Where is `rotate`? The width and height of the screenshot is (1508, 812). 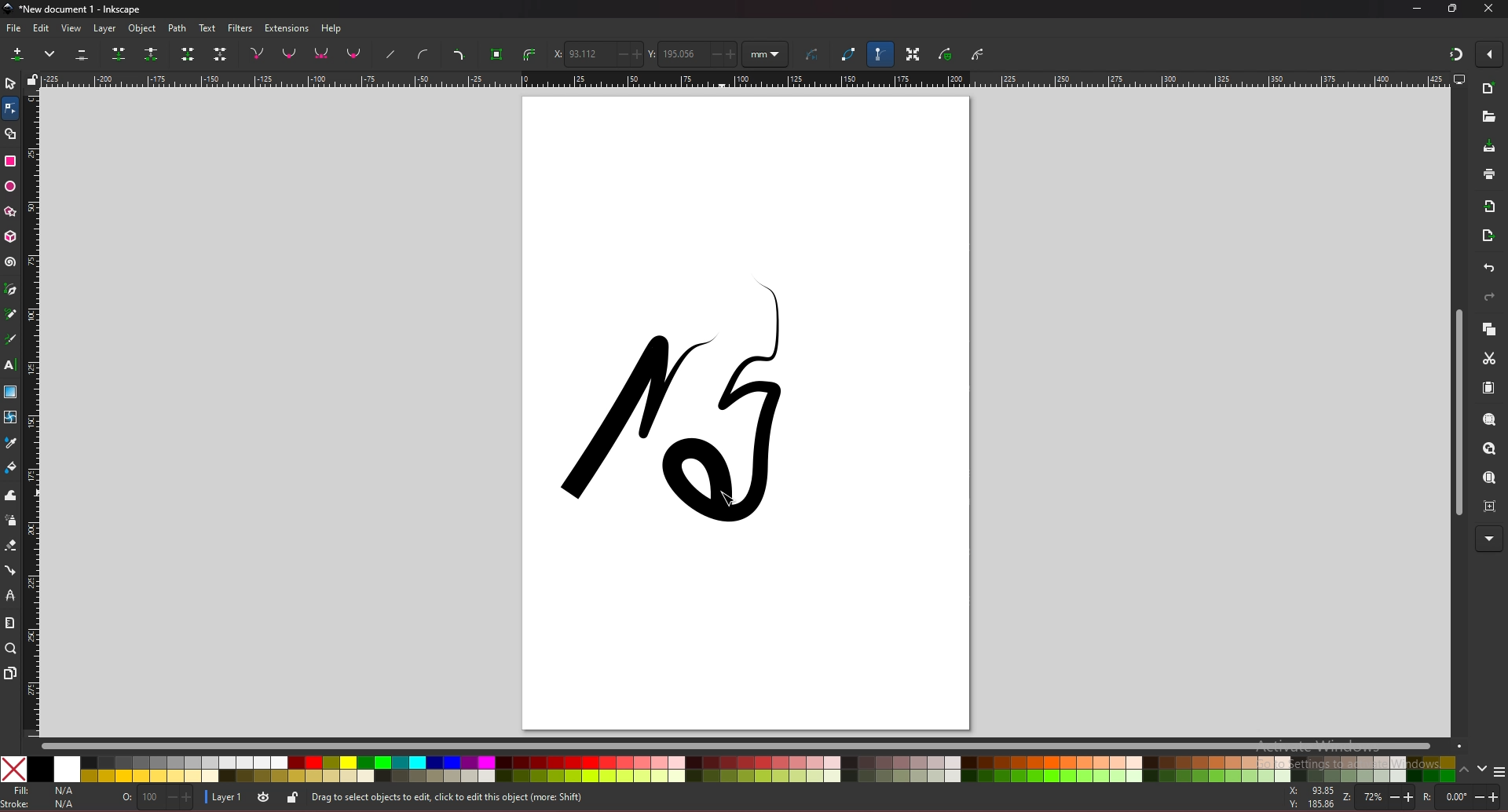 rotate is located at coordinates (1461, 796).